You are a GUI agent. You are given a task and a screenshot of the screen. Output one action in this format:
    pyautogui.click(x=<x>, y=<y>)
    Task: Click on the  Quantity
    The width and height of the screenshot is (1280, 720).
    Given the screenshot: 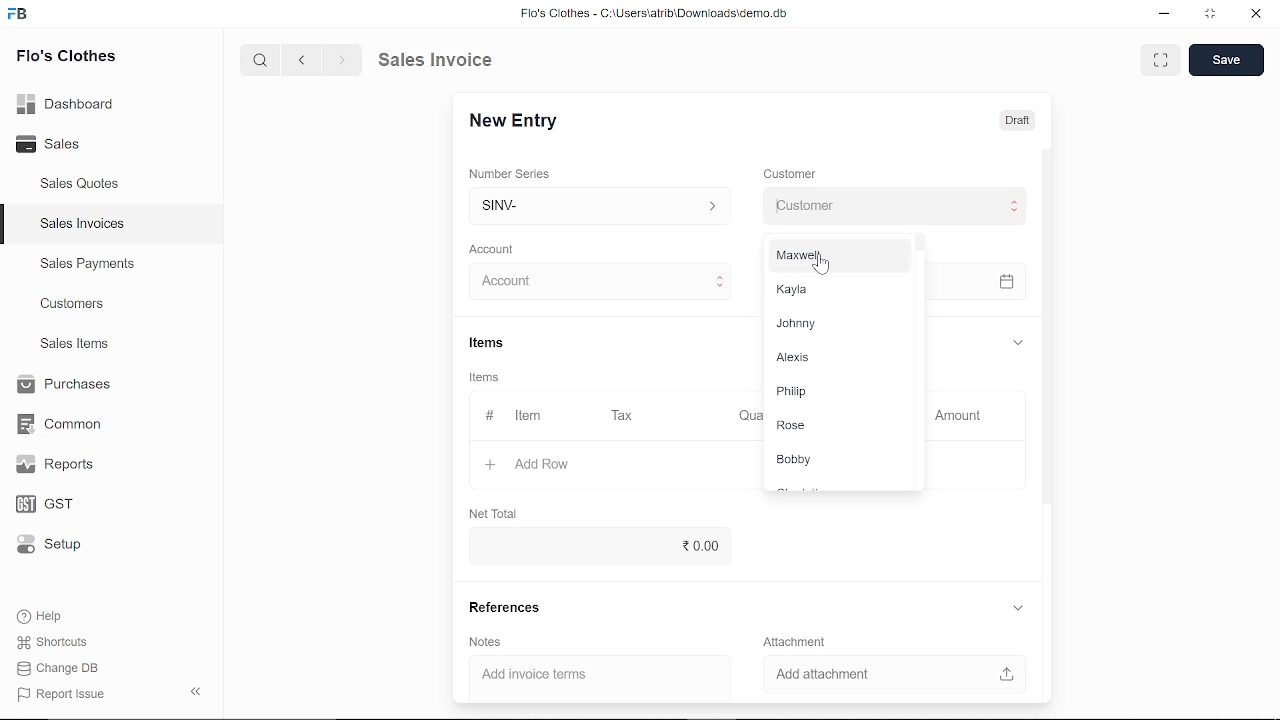 What is the action you would take?
    pyautogui.click(x=741, y=416)
    